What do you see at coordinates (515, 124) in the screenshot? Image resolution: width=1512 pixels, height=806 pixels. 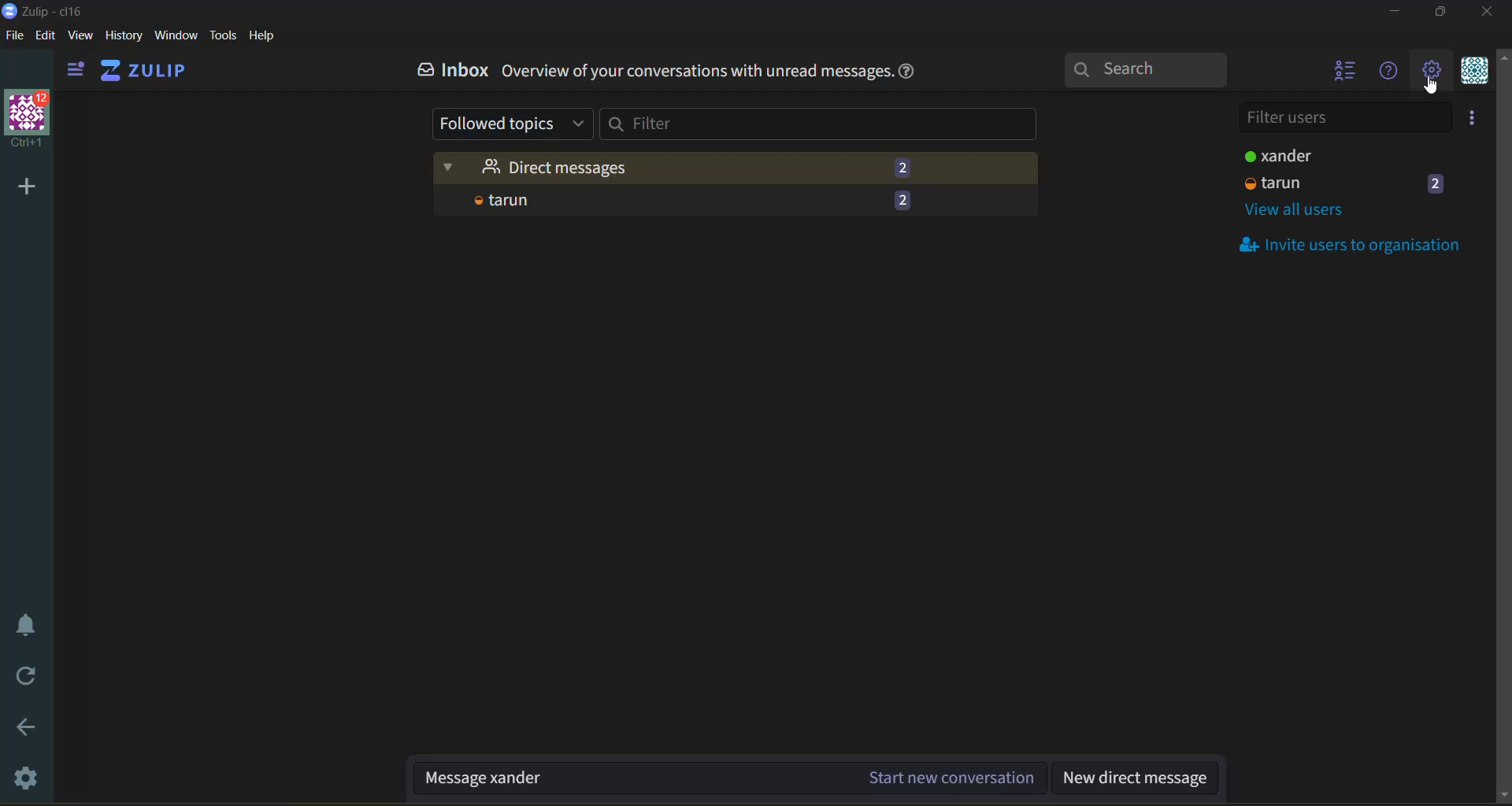 I see `followed topics` at bounding box center [515, 124].